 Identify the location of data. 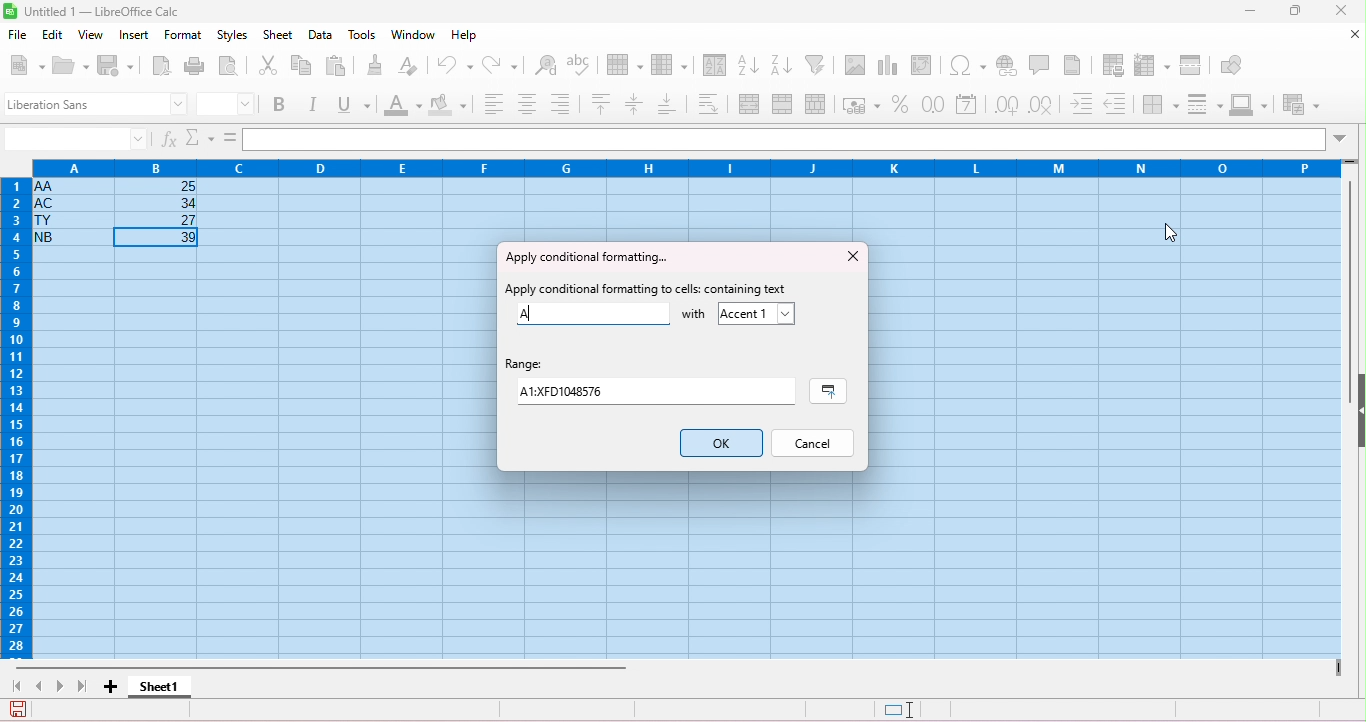
(320, 36).